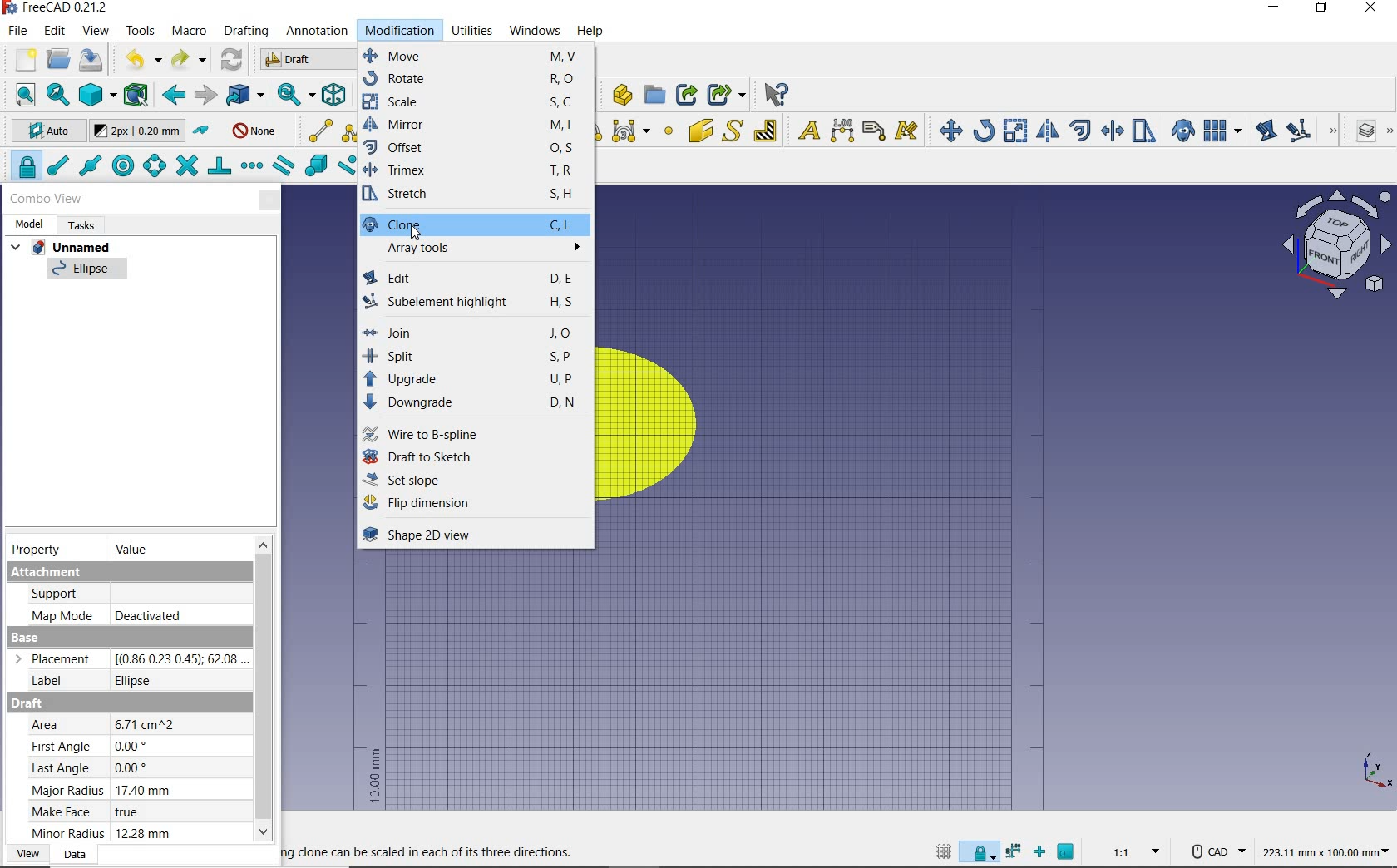 Image resolution: width=1397 pixels, height=868 pixels. Describe the element at coordinates (947, 129) in the screenshot. I see `move` at that location.